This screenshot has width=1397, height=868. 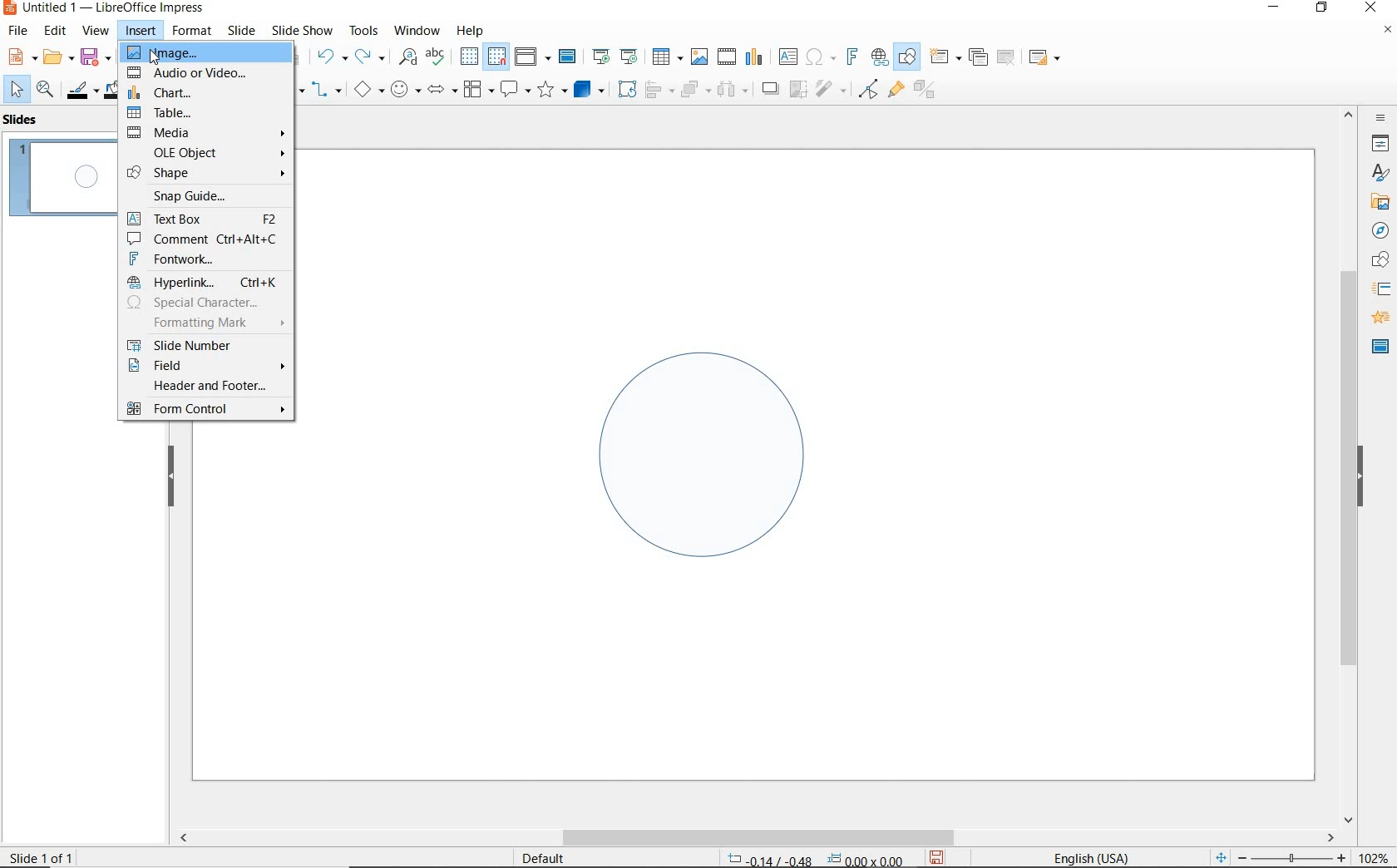 What do you see at coordinates (1380, 174) in the screenshot?
I see `styles` at bounding box center [1380, 174].